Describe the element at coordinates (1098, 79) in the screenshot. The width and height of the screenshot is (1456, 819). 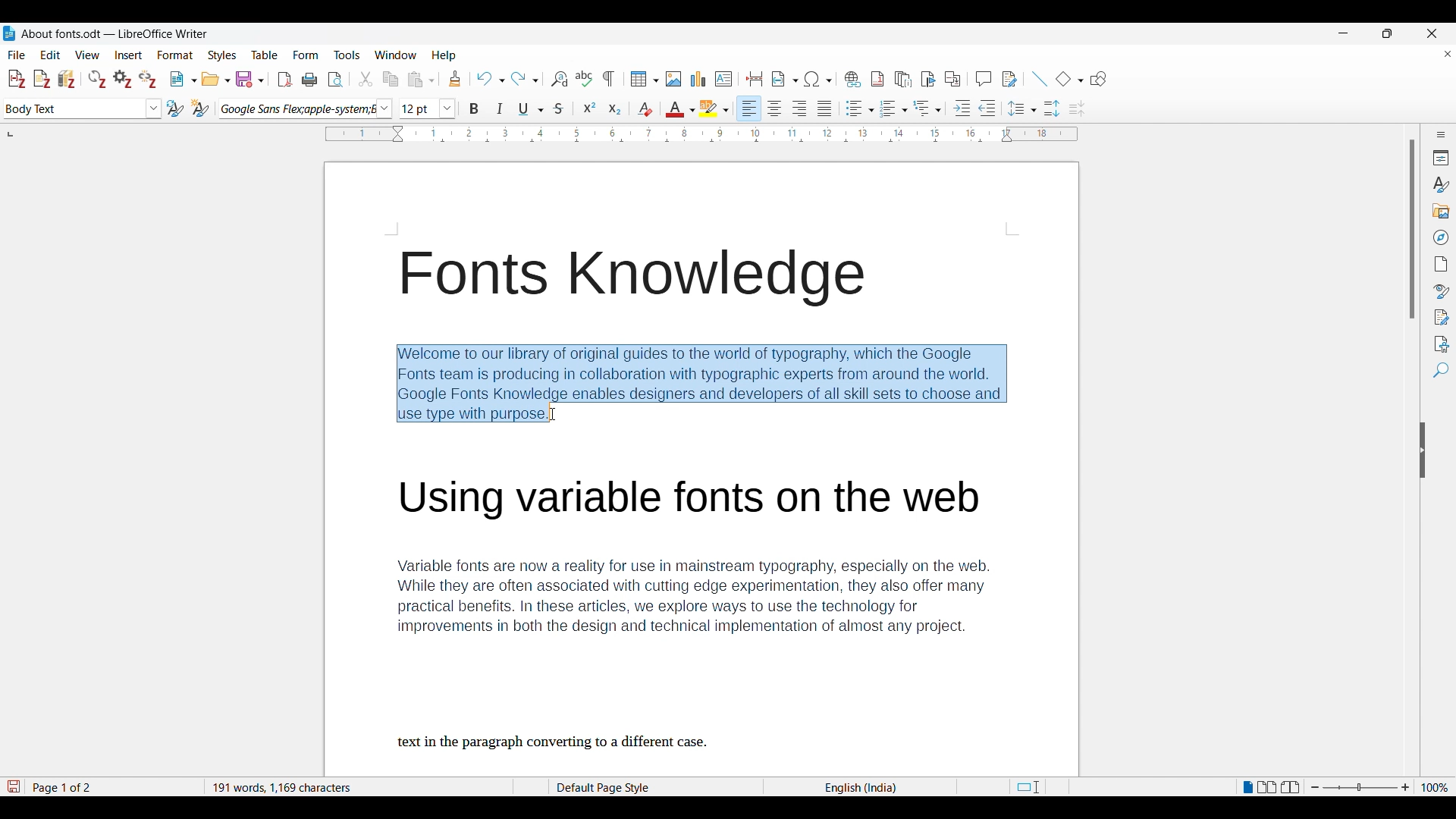
I see `Show draw functions` at that location.